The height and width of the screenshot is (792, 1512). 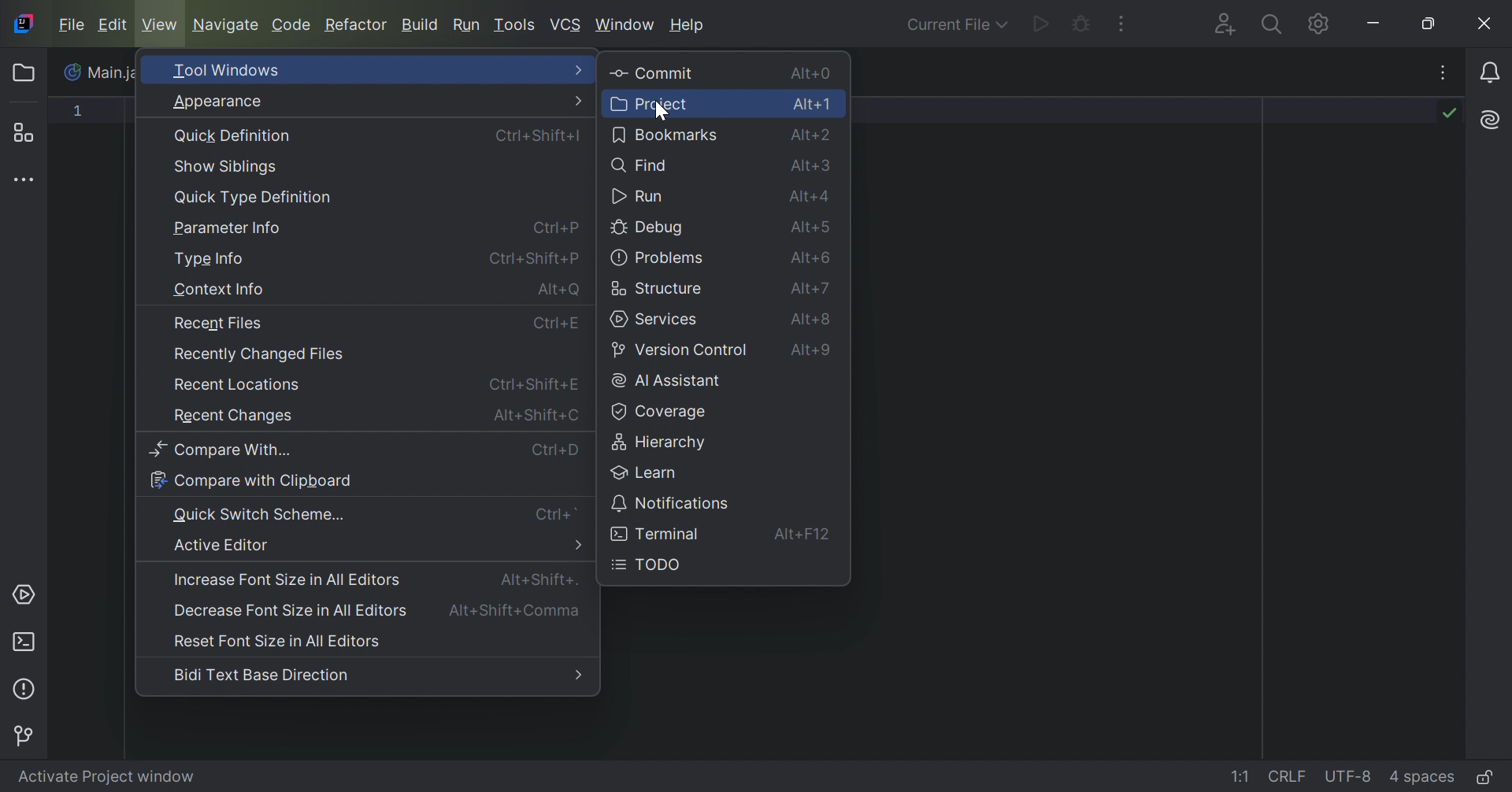 What do you see at coordinates (261, 675) in the screenshot?
I see `Bidi Text Base Direction` at bounding box center [261, 675].